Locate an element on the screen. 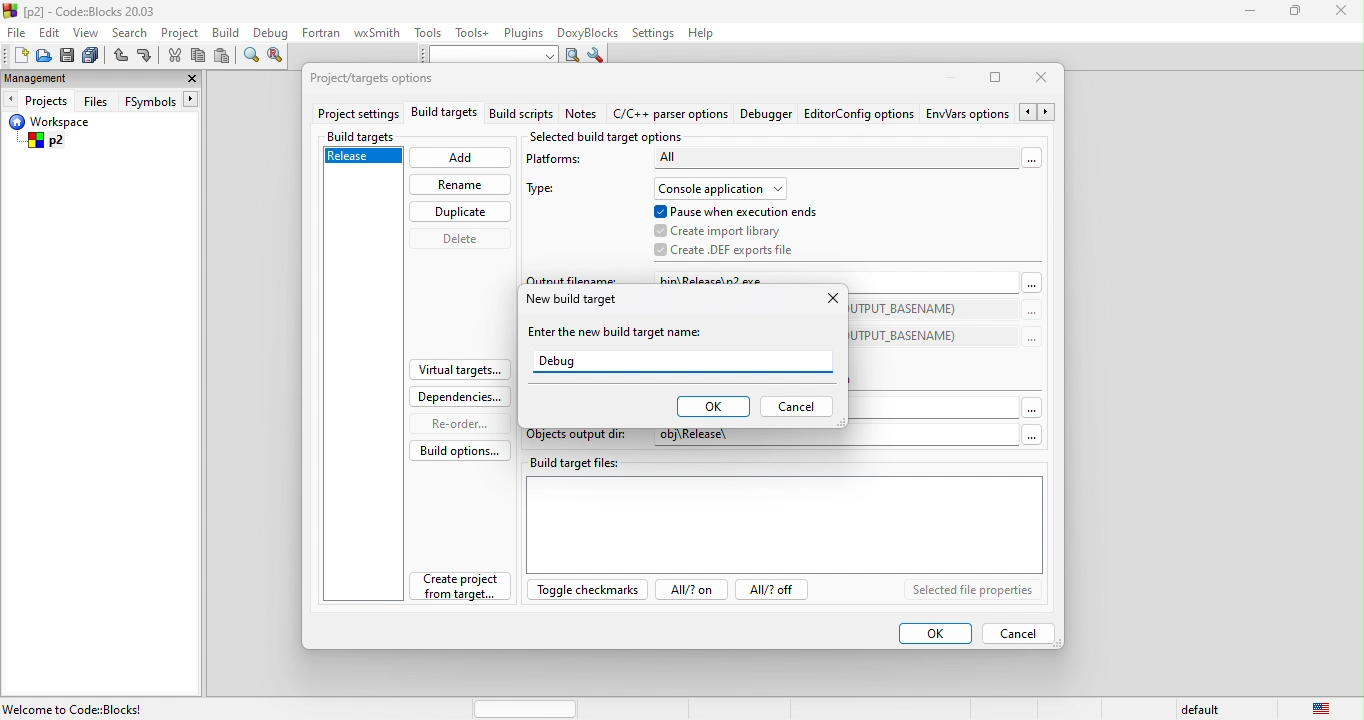 The width and height of the screenshot is (1364, 720). run search is located at coordinates (571, 55).